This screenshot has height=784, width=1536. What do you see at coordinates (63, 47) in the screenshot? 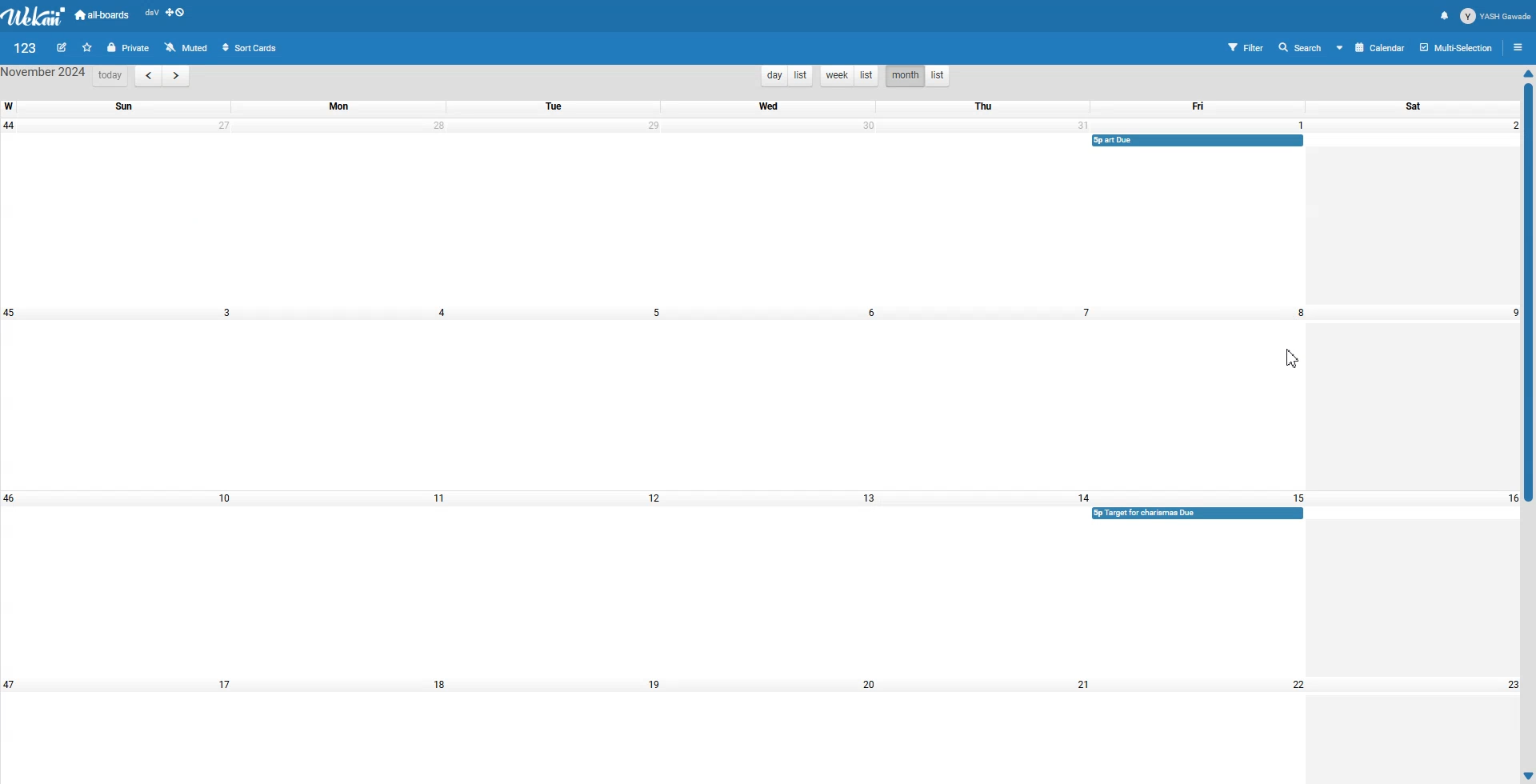
I see `Edit` at bounding box center [63, 47].